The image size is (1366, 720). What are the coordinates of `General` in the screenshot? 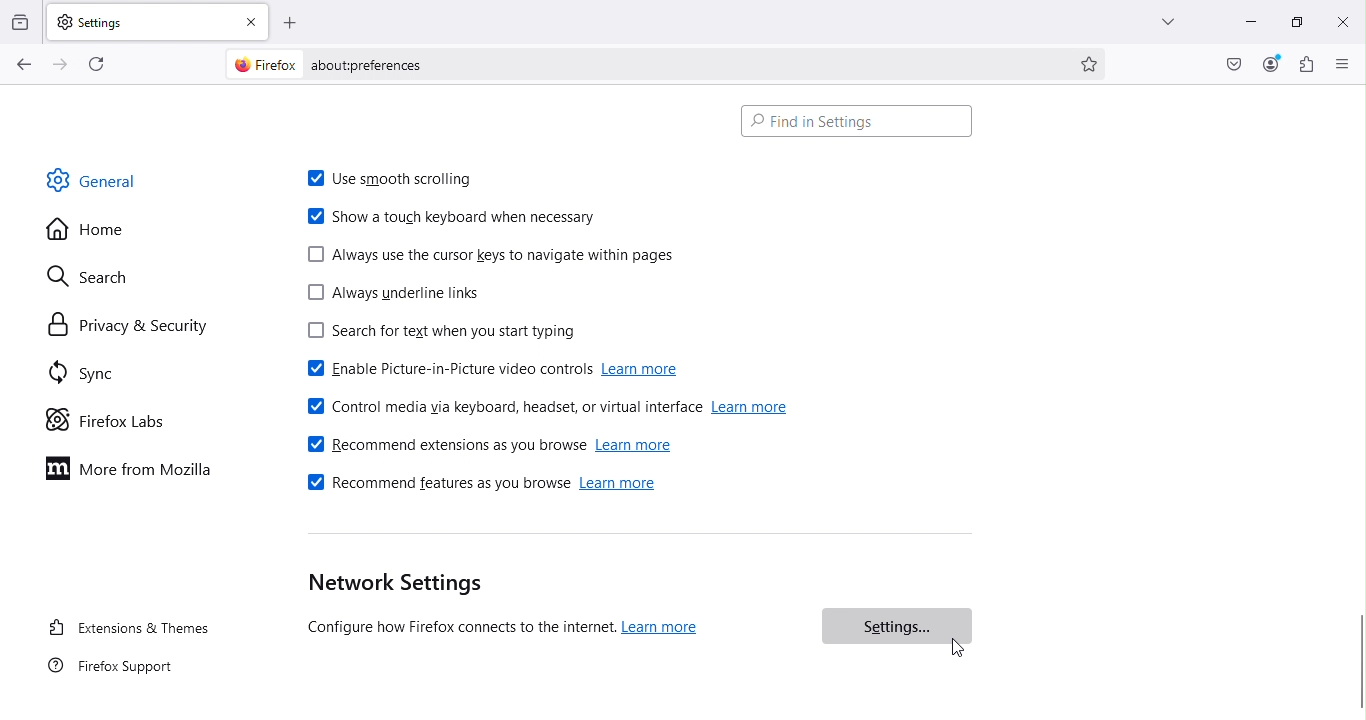 It's located at (114, 186).